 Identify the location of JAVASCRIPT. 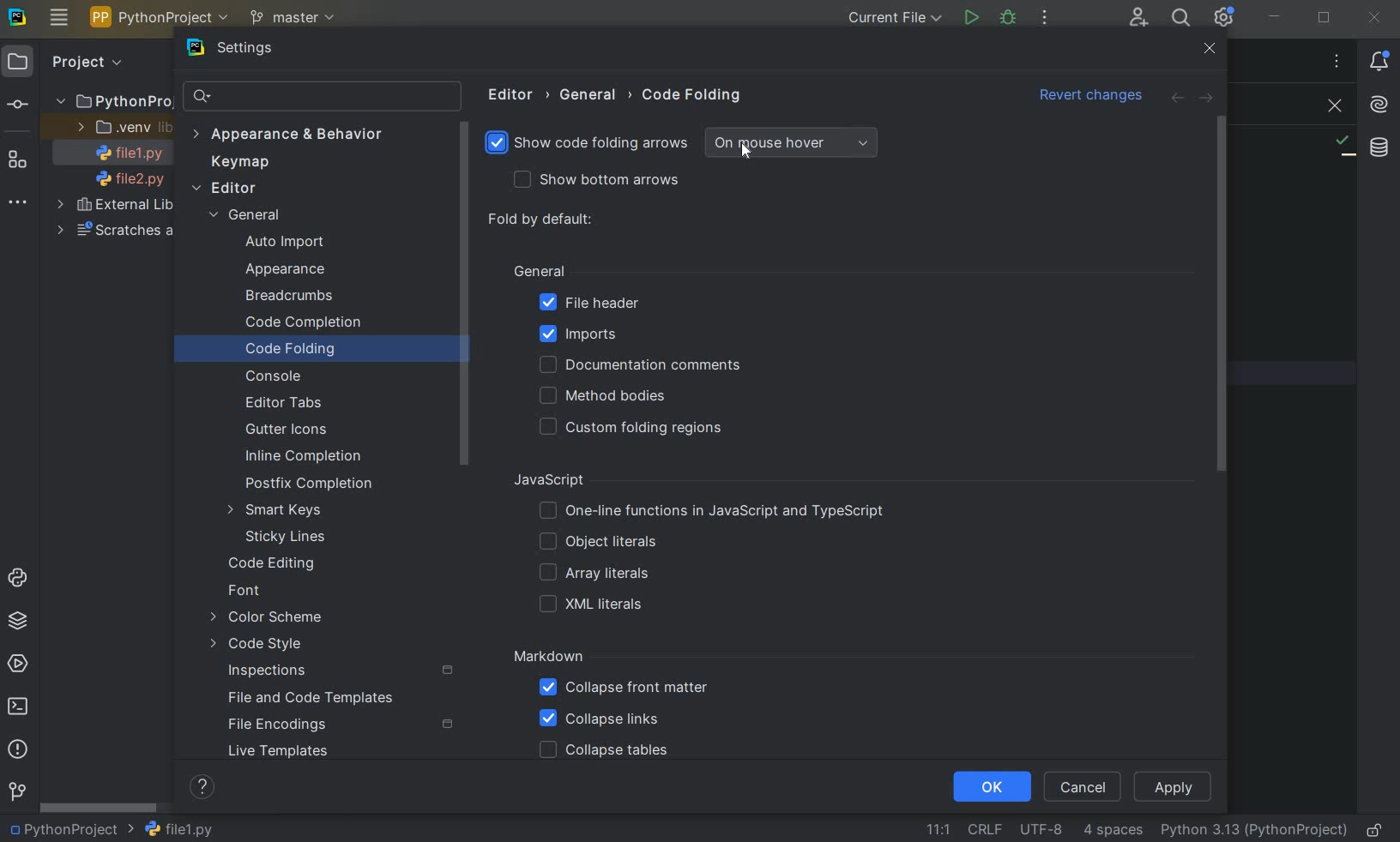
(568, 480).